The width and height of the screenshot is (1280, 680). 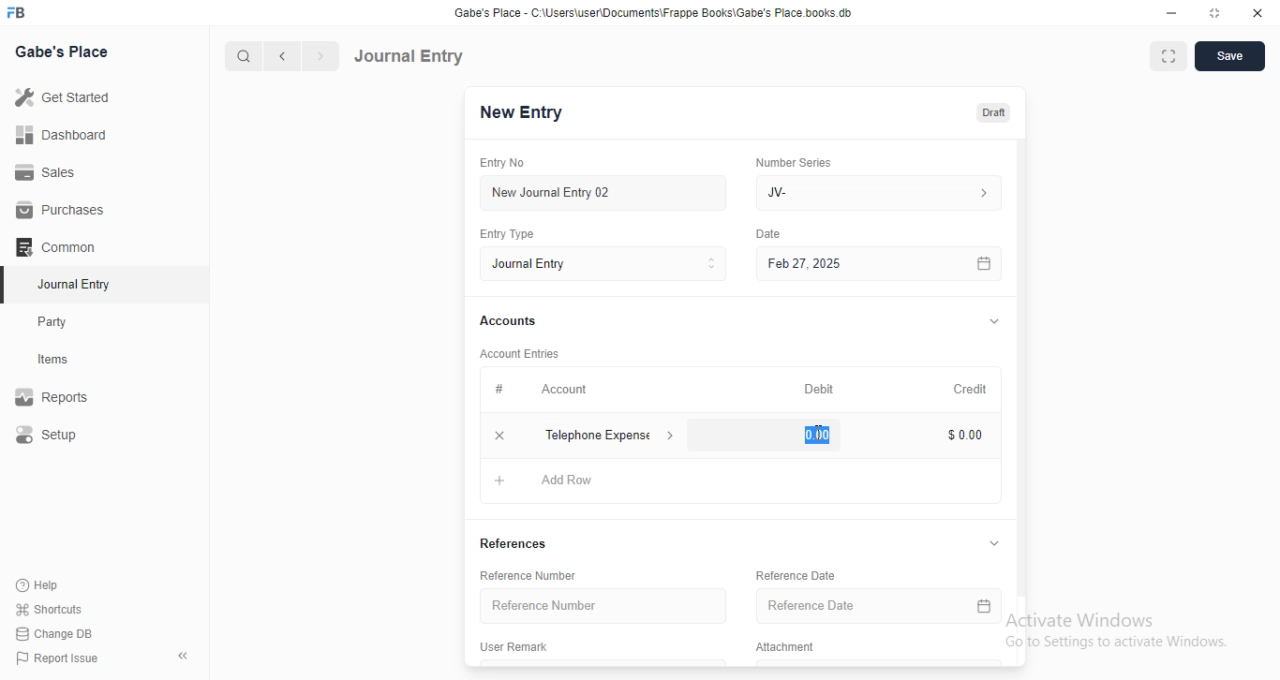 What do you see at coordinates (579, 479) in the screenshot?
I see `Add Row` at bounding box center [579, 479].